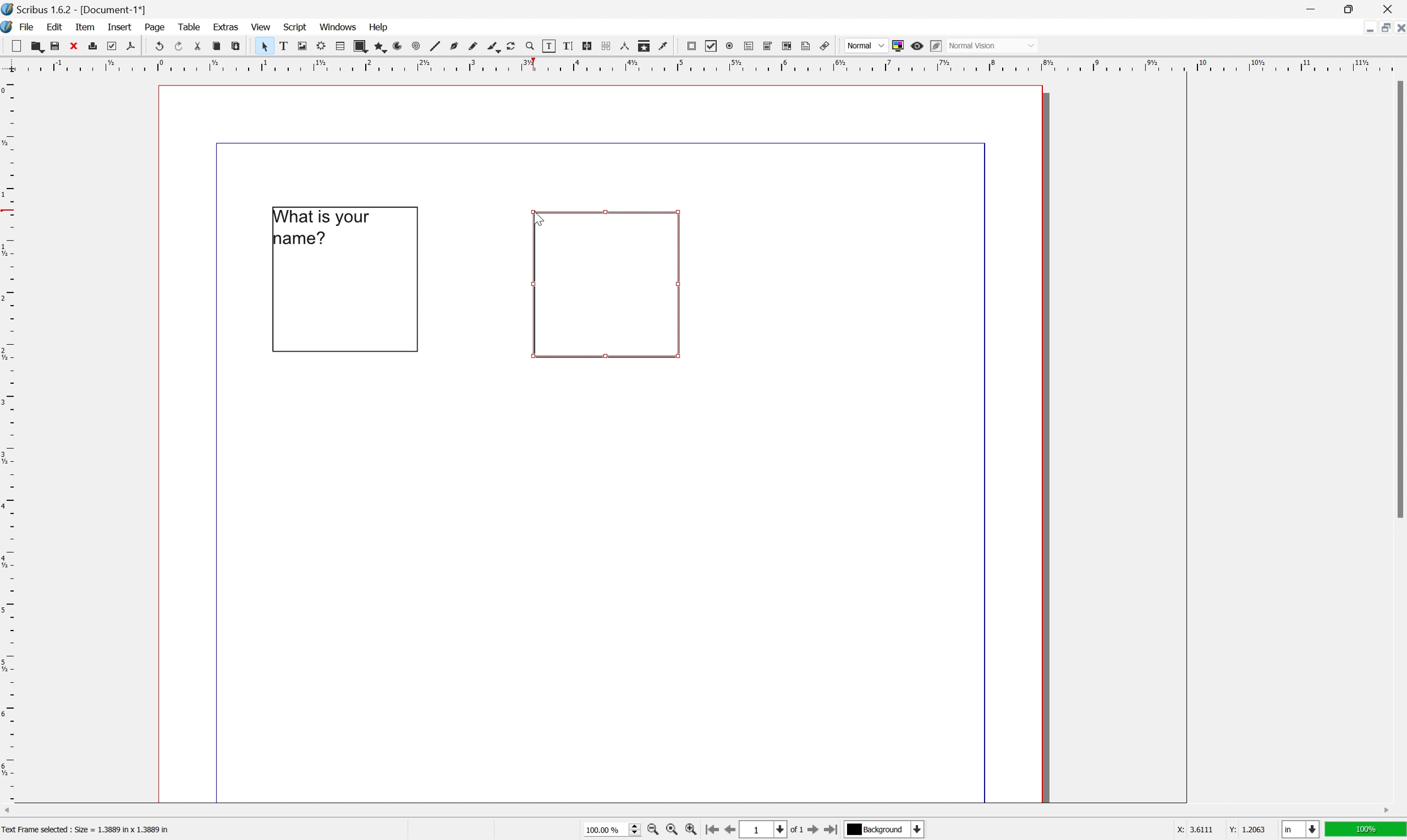 The height and width of the screenshot is (840, 1407). I want to click on table, so click(340, 46).